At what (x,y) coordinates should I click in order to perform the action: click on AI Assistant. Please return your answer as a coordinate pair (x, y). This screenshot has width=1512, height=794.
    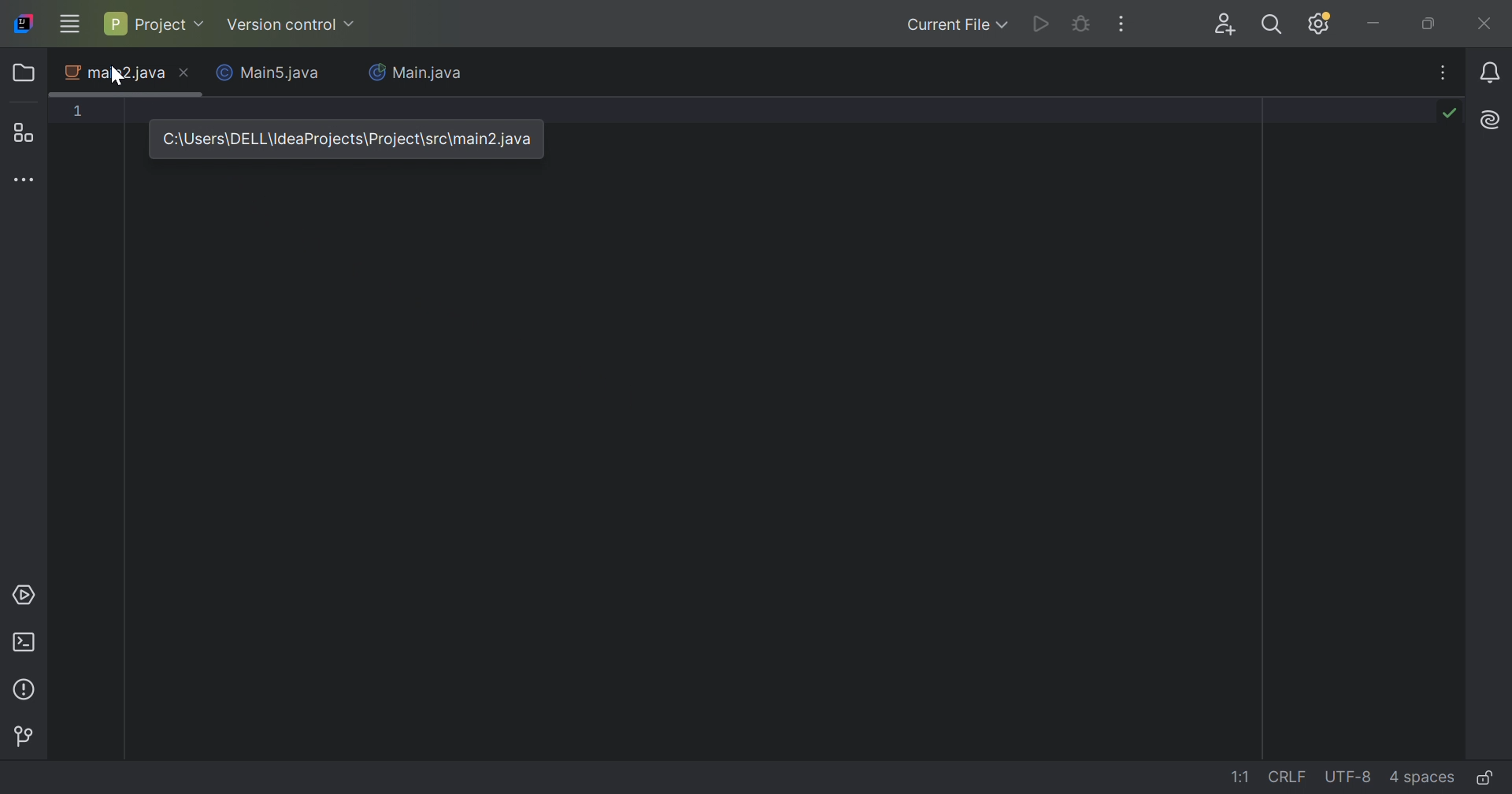
    Looking at the image, I should click on (1493, 118).